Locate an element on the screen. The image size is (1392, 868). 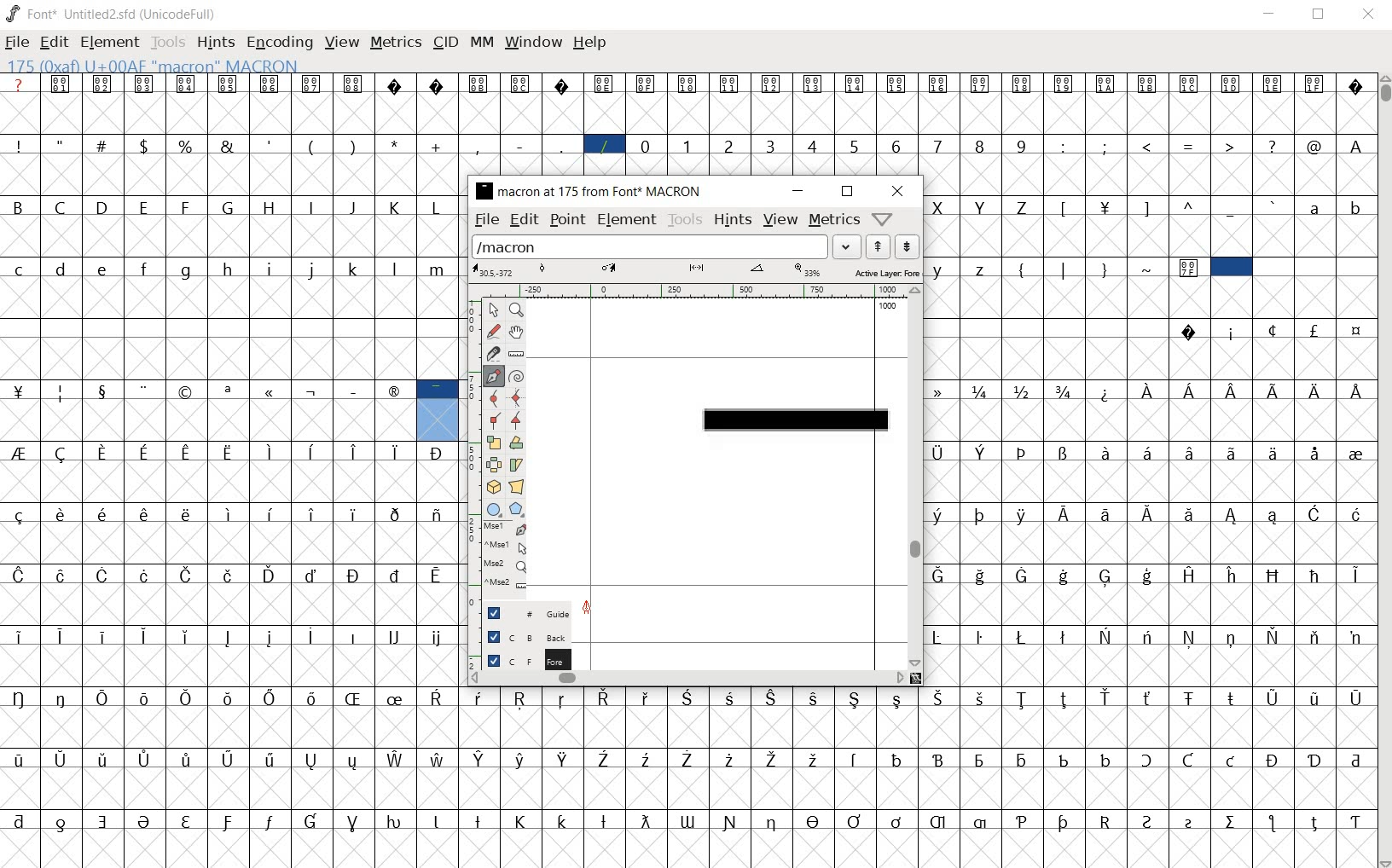
metrics is located at coordinates (833, 220).